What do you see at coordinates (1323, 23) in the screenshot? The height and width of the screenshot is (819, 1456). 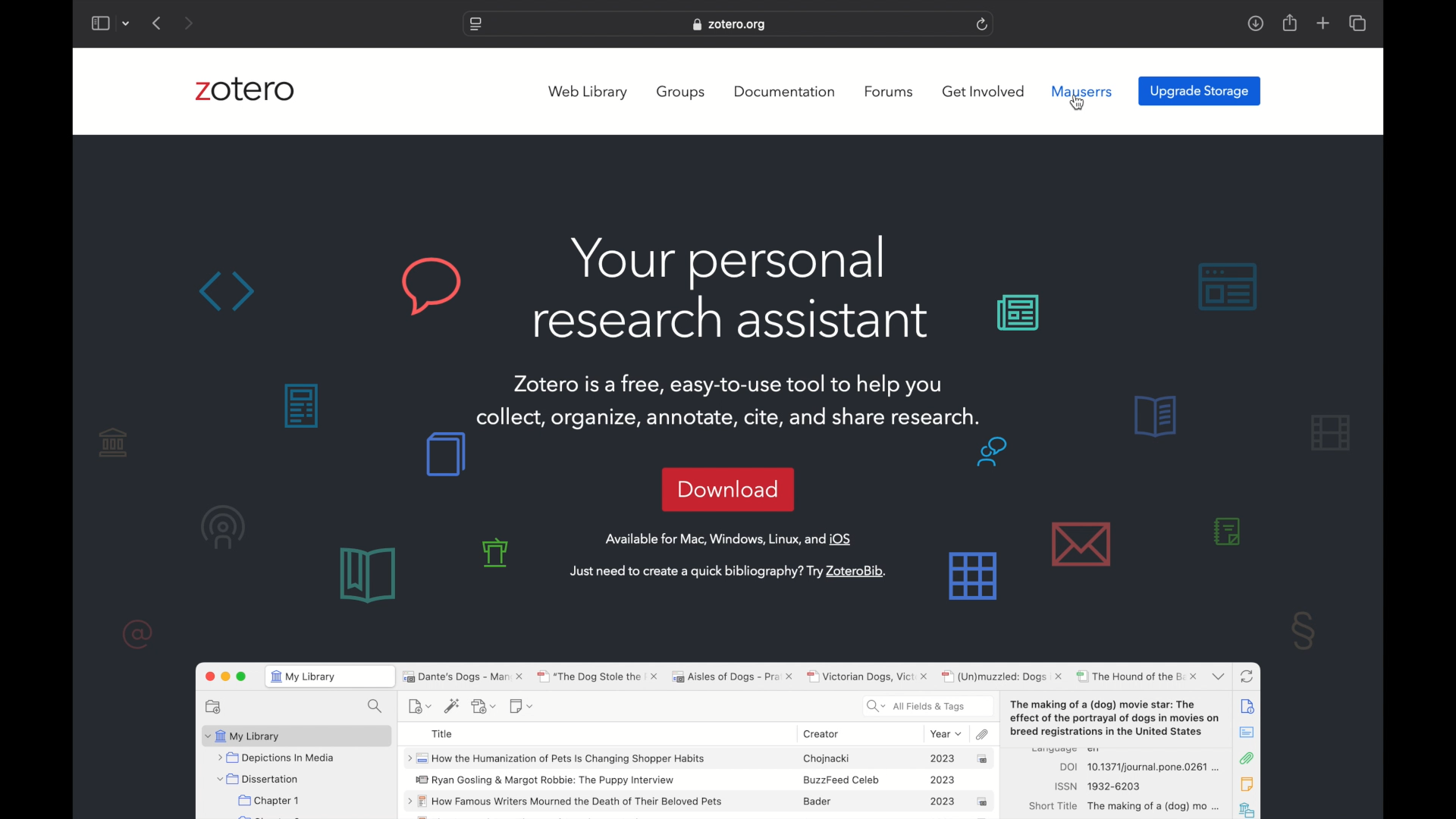 I see `add` at bounding box center [1323, 23].